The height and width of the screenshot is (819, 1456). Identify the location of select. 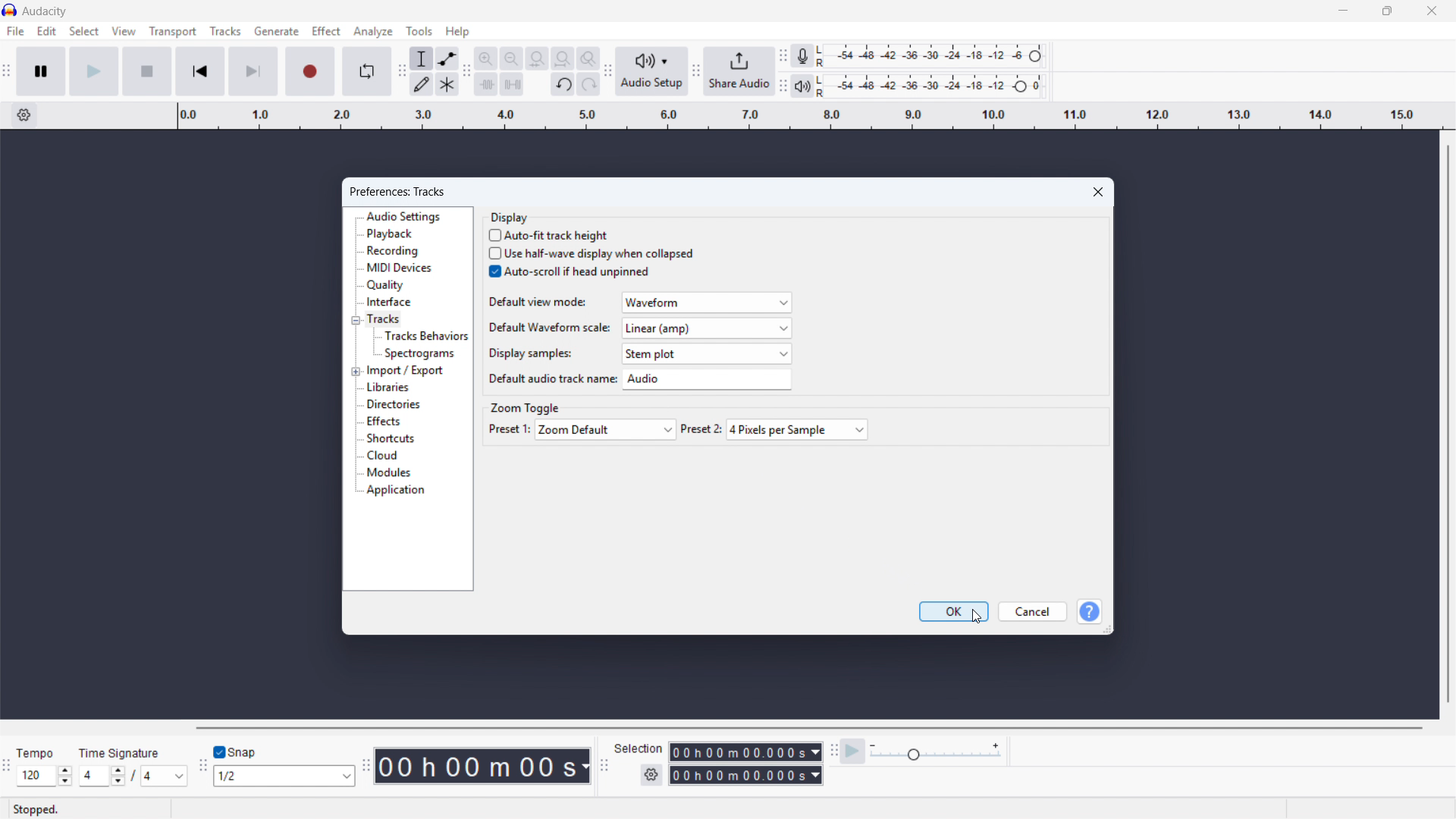
(84, 31).